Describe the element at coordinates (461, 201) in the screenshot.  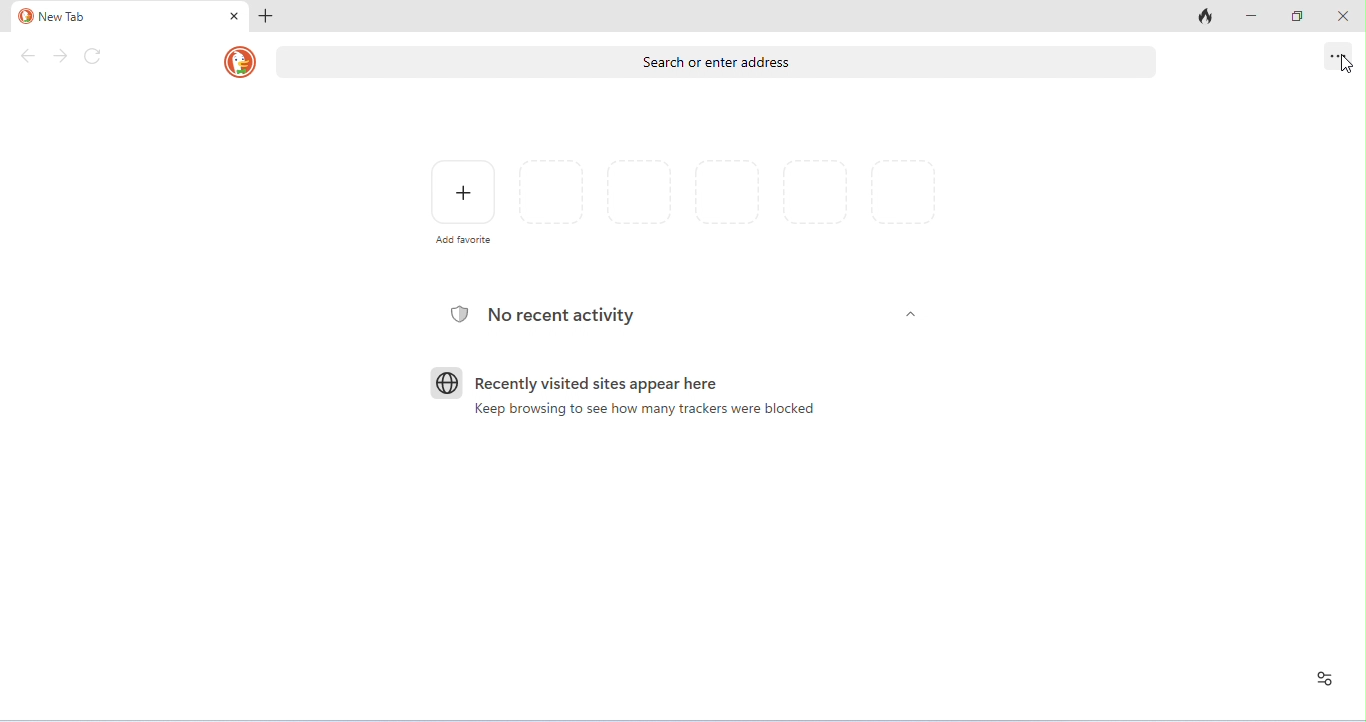
I see `add favorite` at that location.